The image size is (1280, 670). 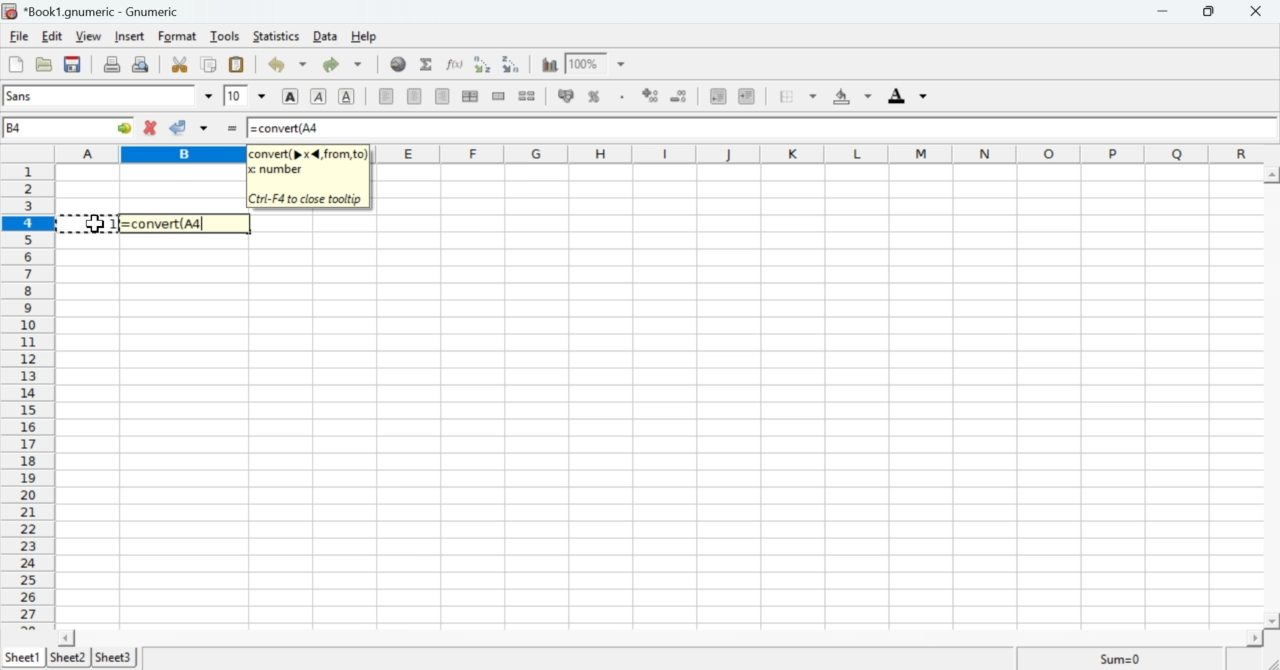 I want to click on Redo, so click(x=343, y=63).